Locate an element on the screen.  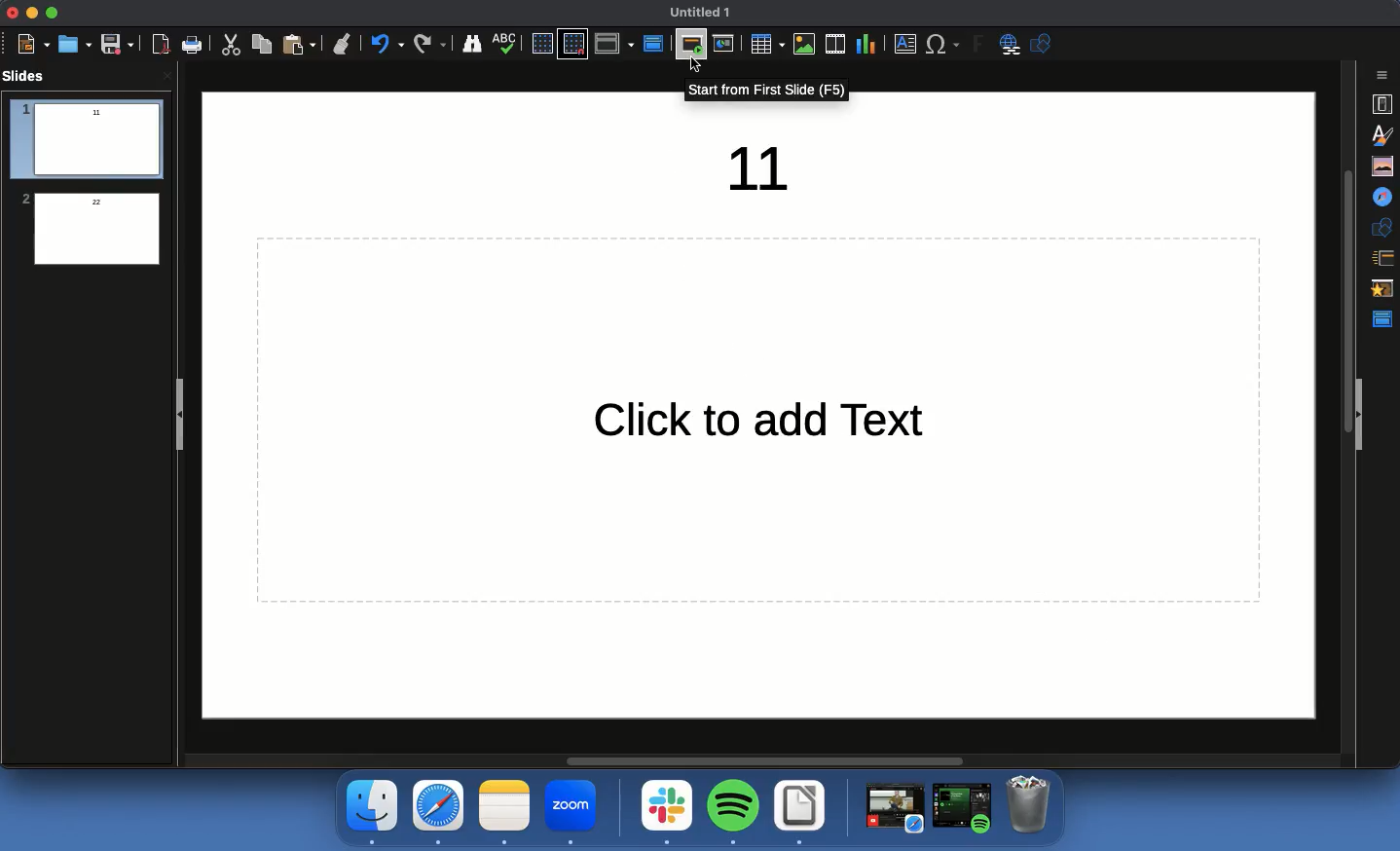
Chart is located at coordinates (867, 45).